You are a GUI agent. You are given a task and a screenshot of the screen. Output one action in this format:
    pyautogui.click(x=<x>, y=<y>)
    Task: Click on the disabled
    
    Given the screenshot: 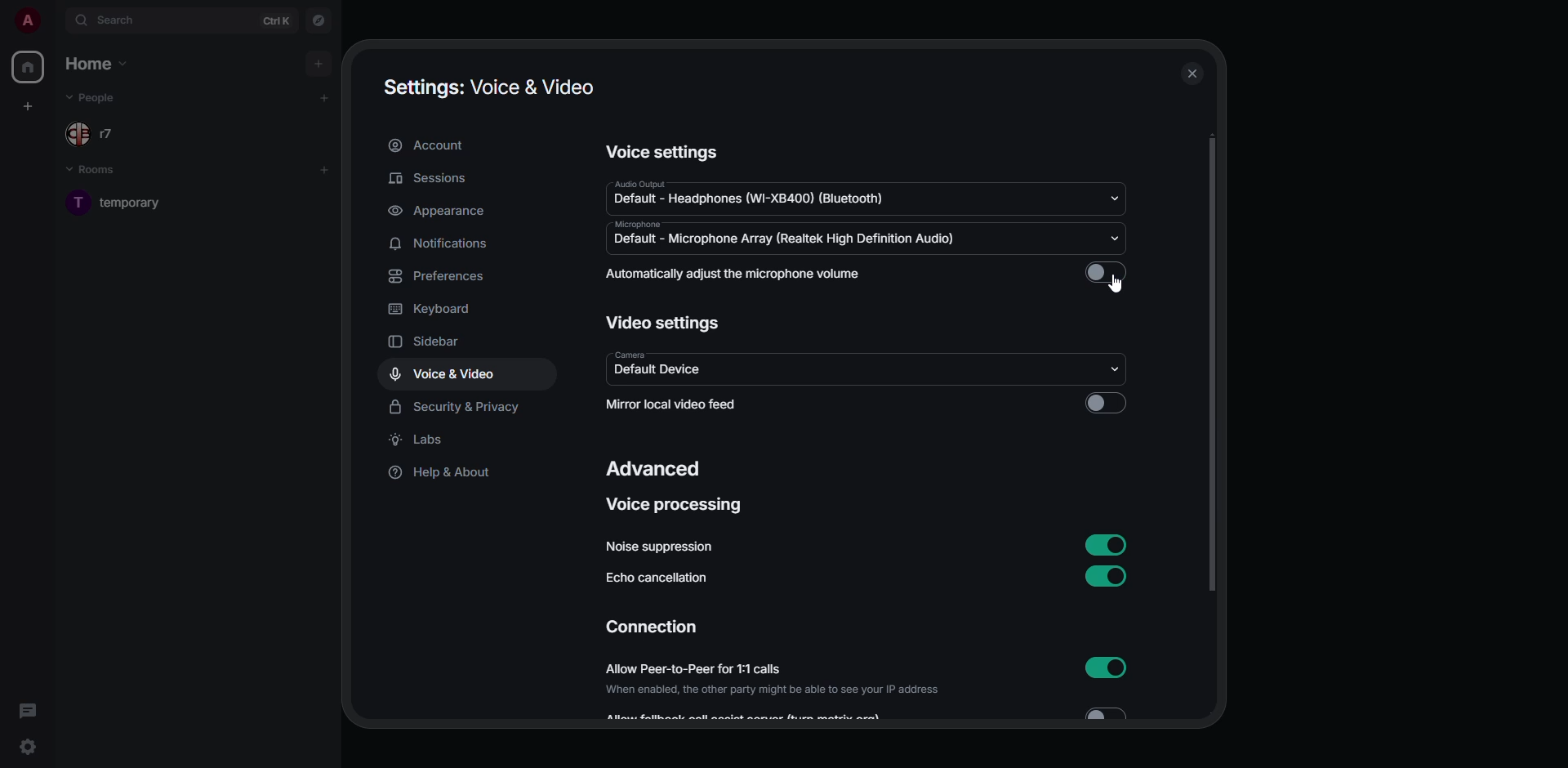 What is the action you would take?
    pyautogui.click(x=1108, y=275)
    